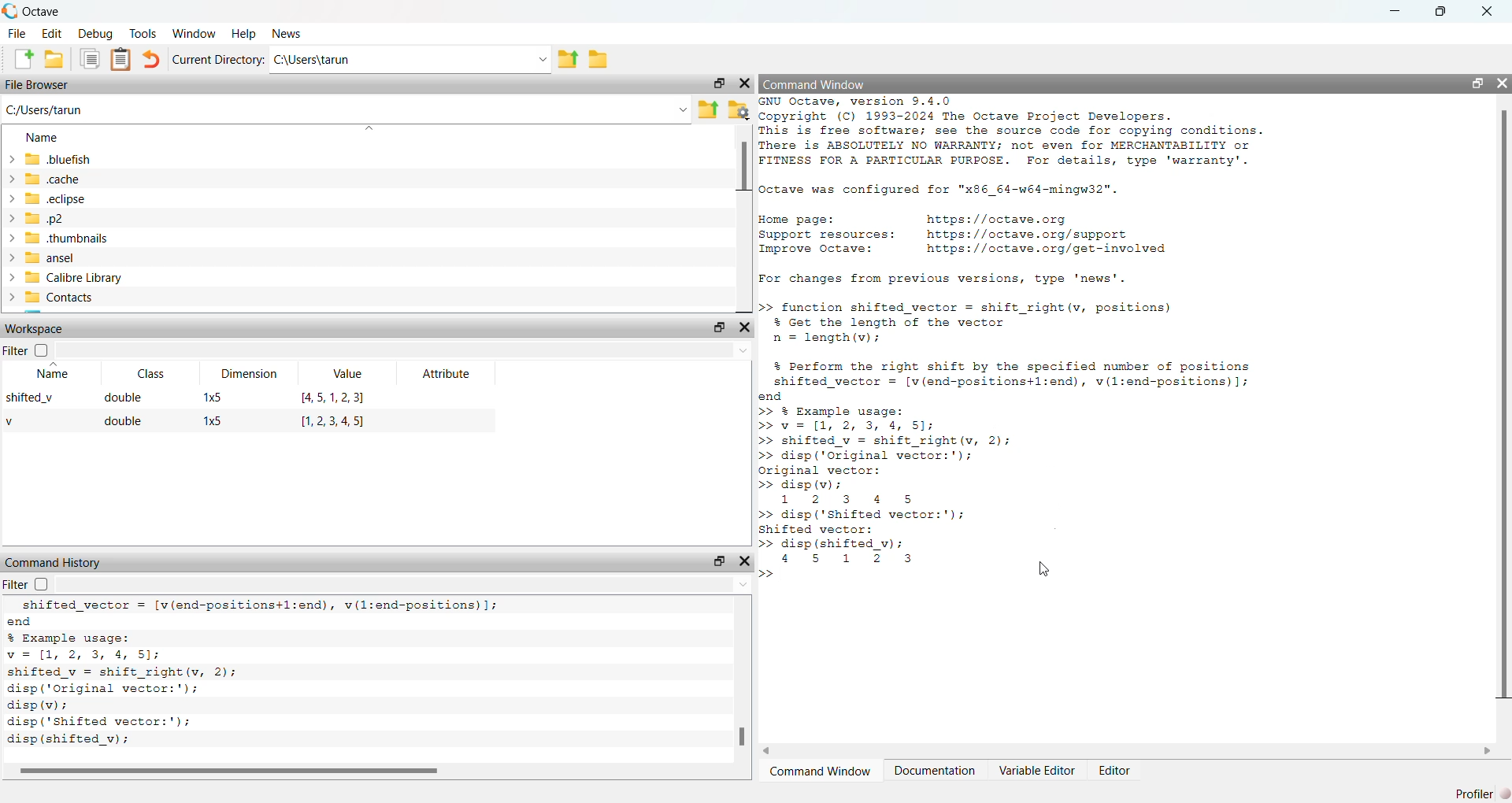 The image size is (1512, 803). I want to click on file browser, so click(46, 86).